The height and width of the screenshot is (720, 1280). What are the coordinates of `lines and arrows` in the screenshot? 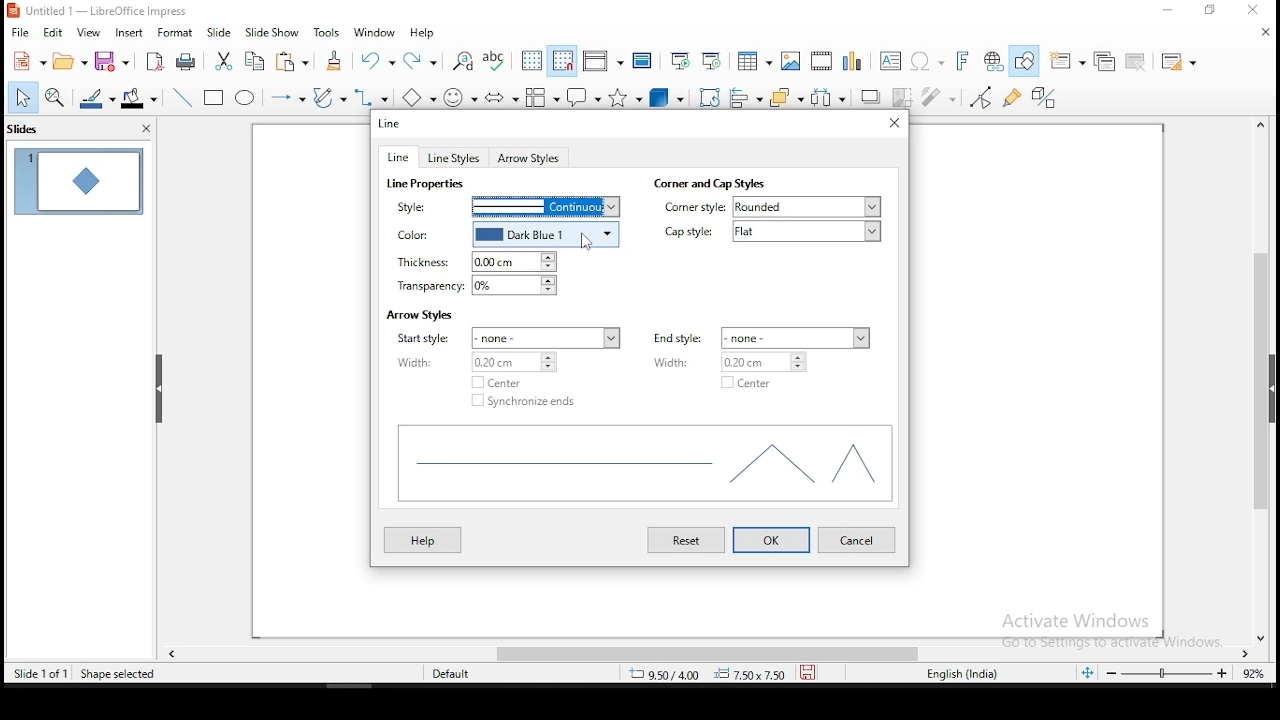 It's located at (291, 100).